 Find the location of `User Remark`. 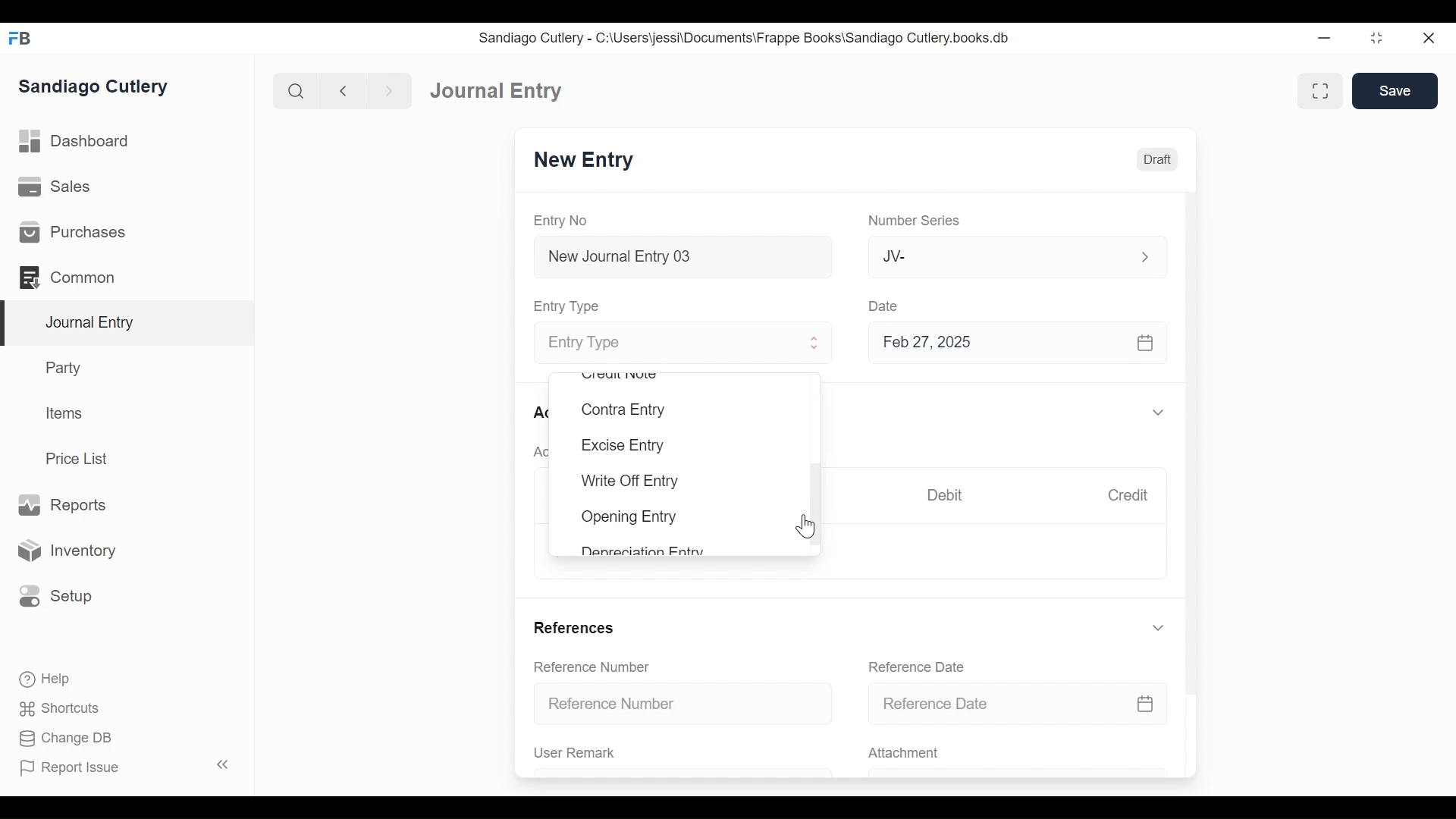

User Remark is located at coordinates (584, 754).